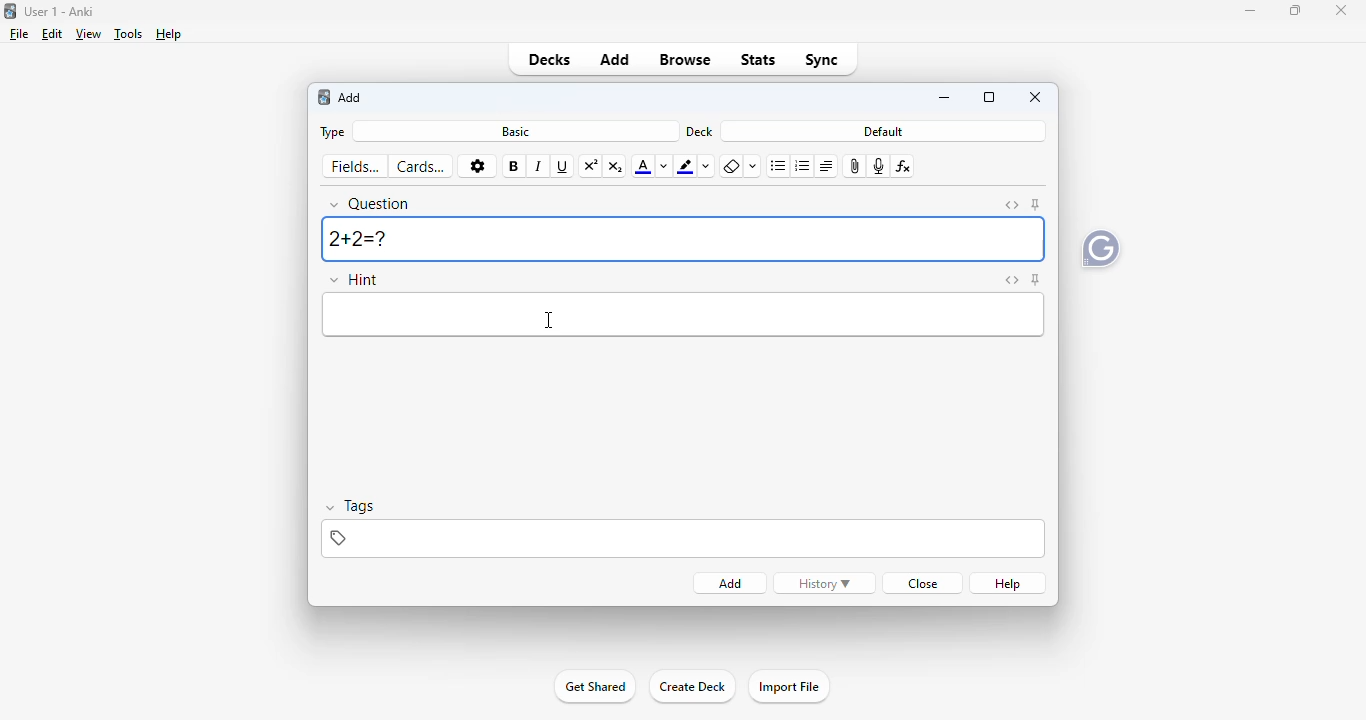 The height and width of the screenshot is (720, 1366). I want to click on logo, so click(323, 97).